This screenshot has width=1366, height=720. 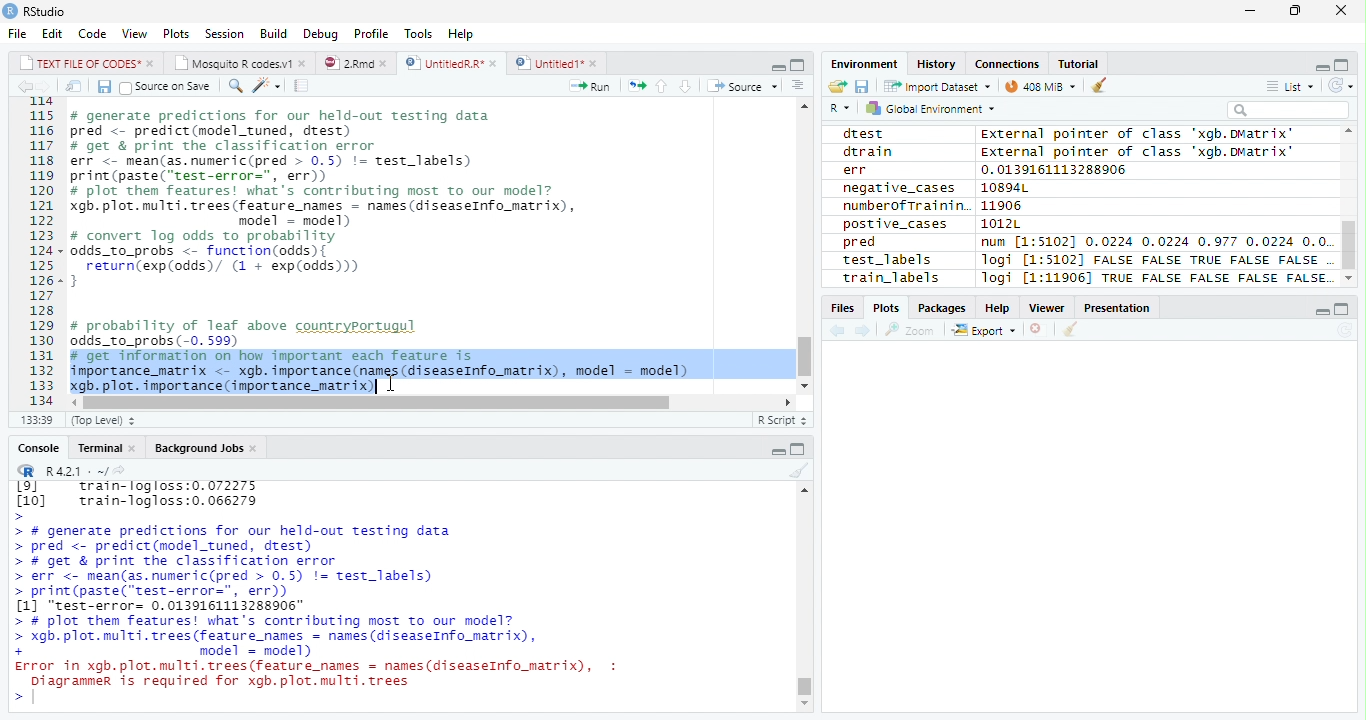 I want to click on 44MiB, so click(x=1037, y=84).